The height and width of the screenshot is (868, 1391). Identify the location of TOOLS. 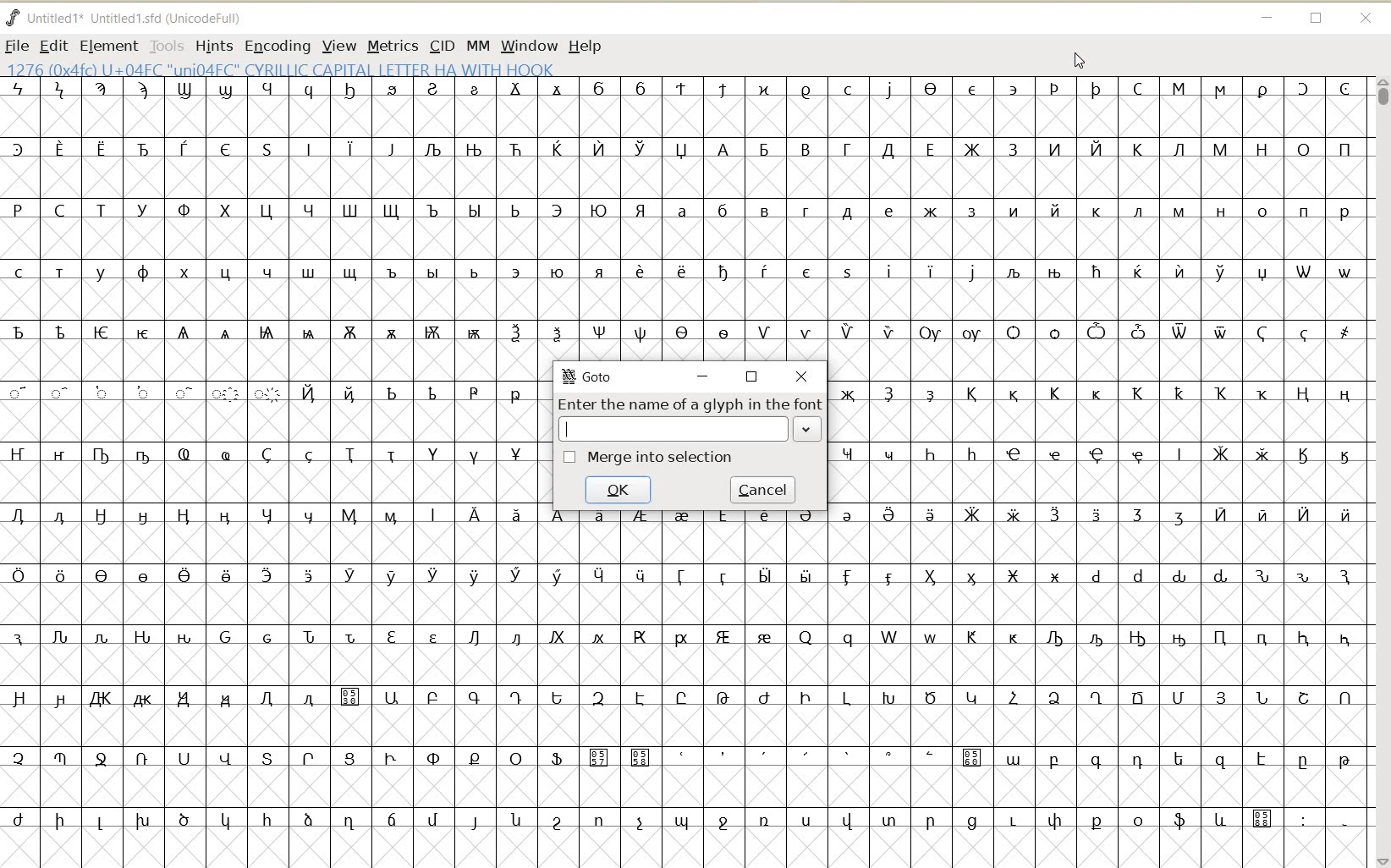
(168, 45).